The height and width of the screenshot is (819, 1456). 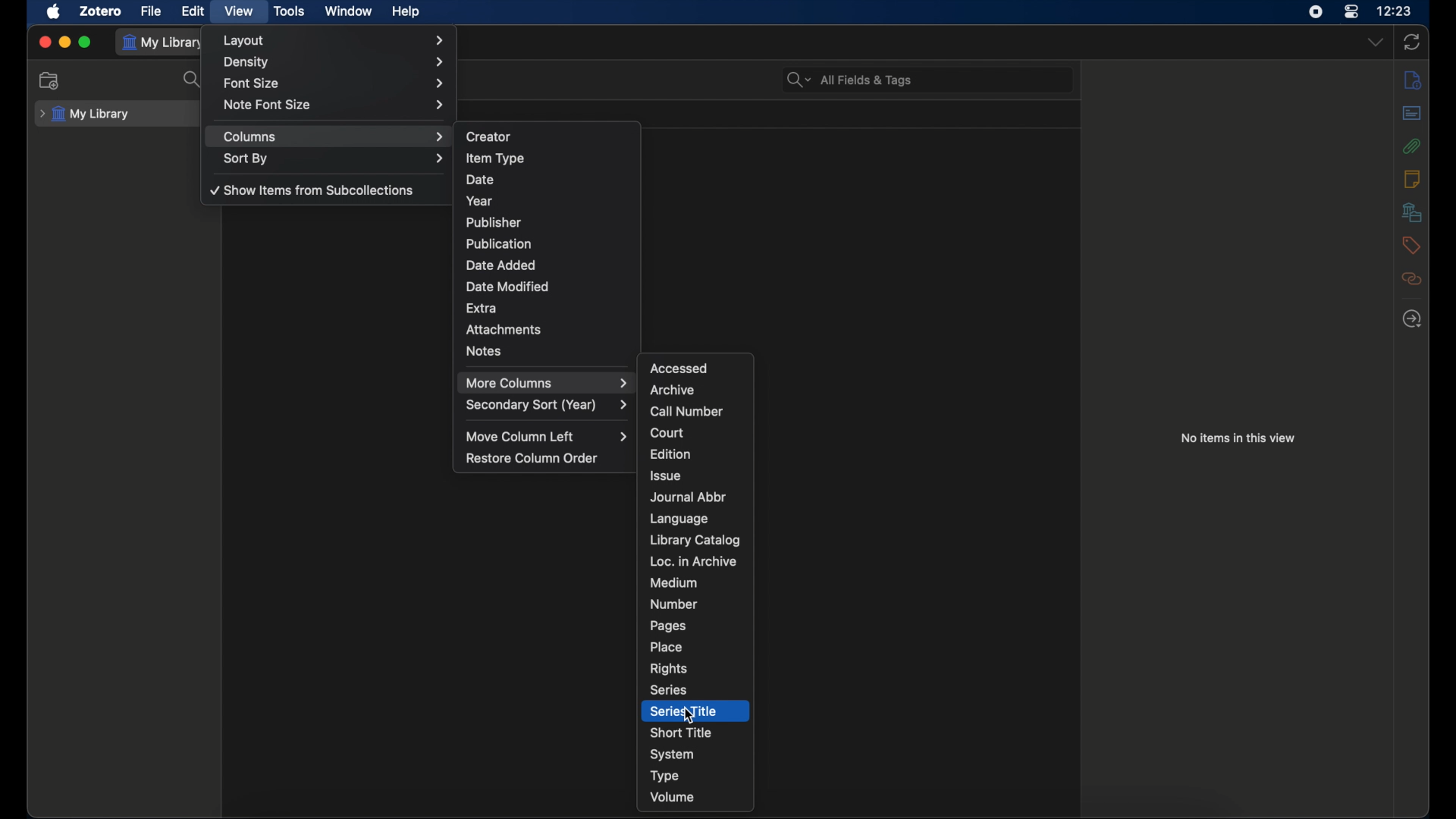 I want to click on sort by, so click(x=333, y=159).